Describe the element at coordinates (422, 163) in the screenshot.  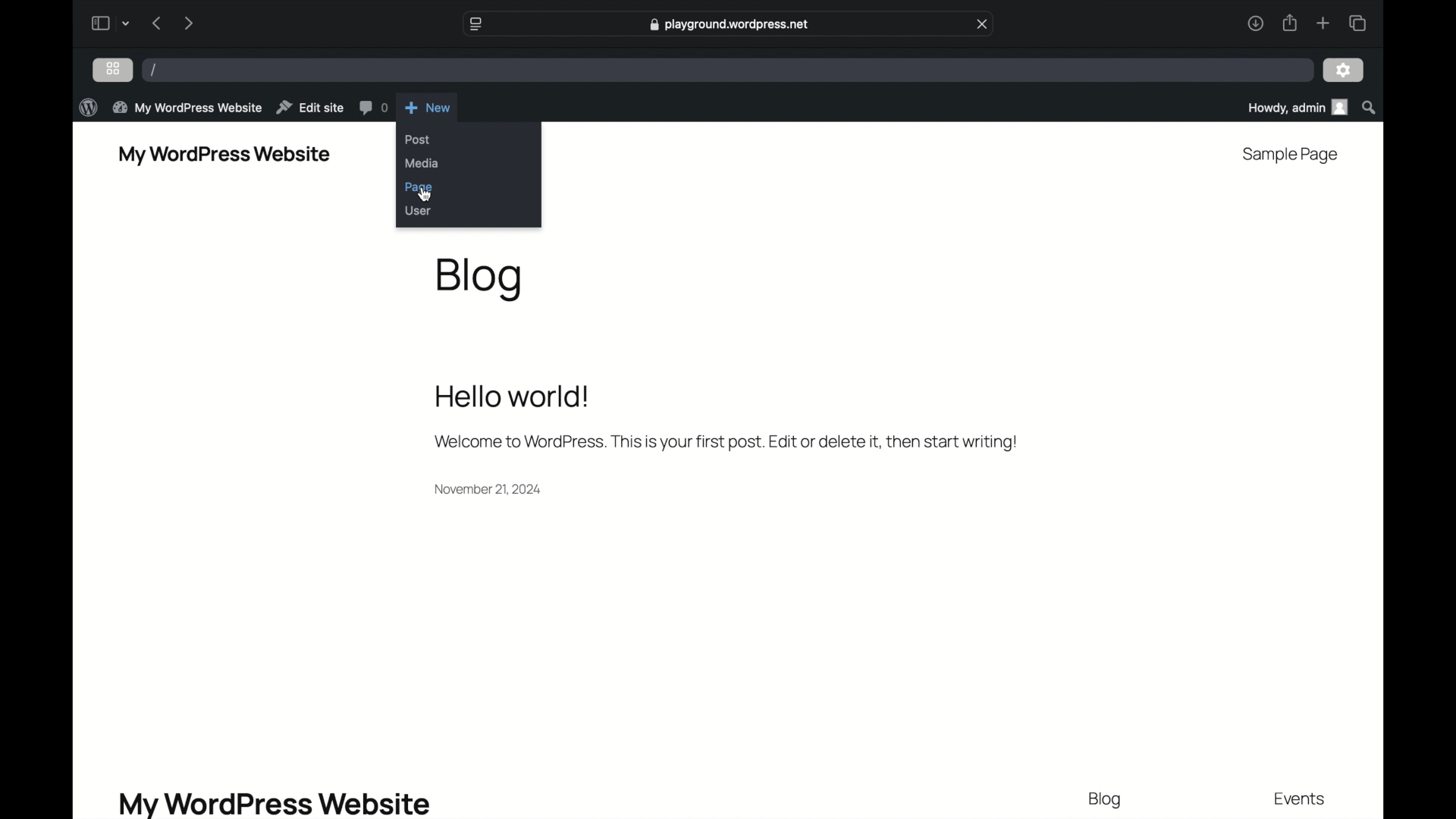
I see `media` at that location.